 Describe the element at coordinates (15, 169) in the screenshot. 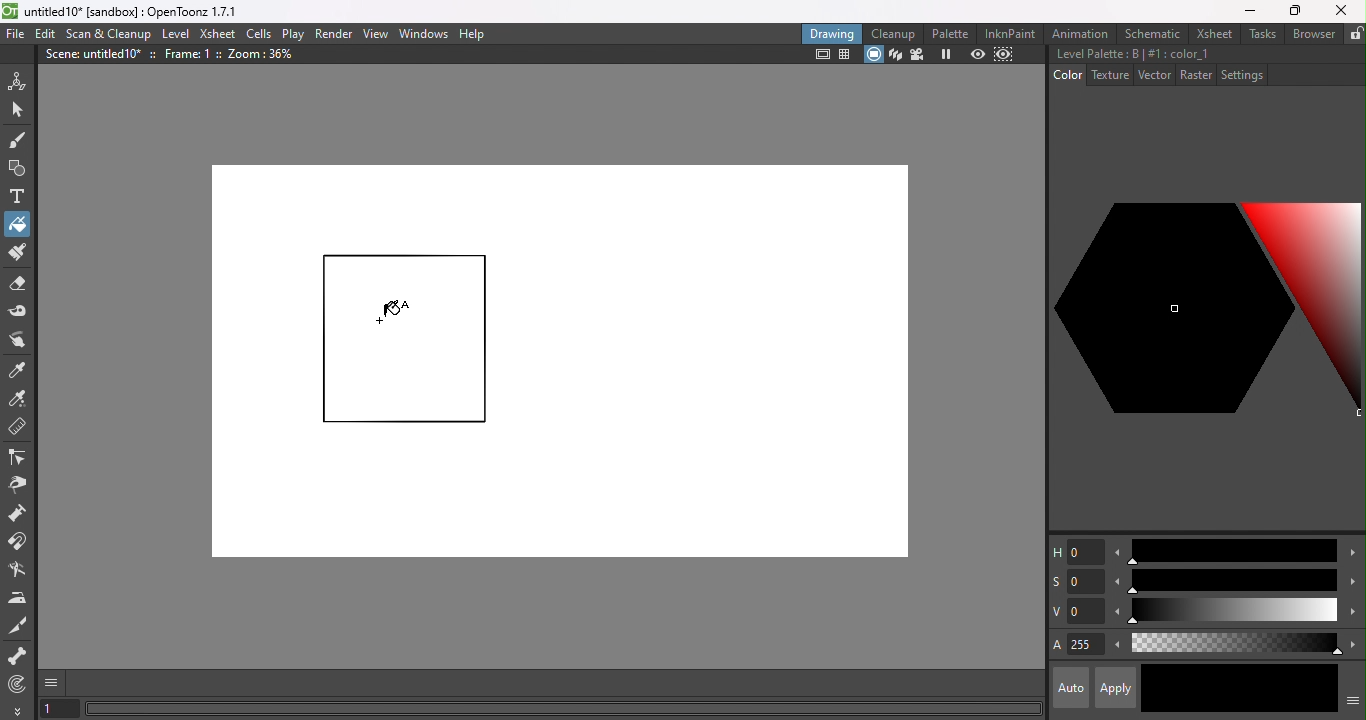

I see `Geometric tool` at that location.